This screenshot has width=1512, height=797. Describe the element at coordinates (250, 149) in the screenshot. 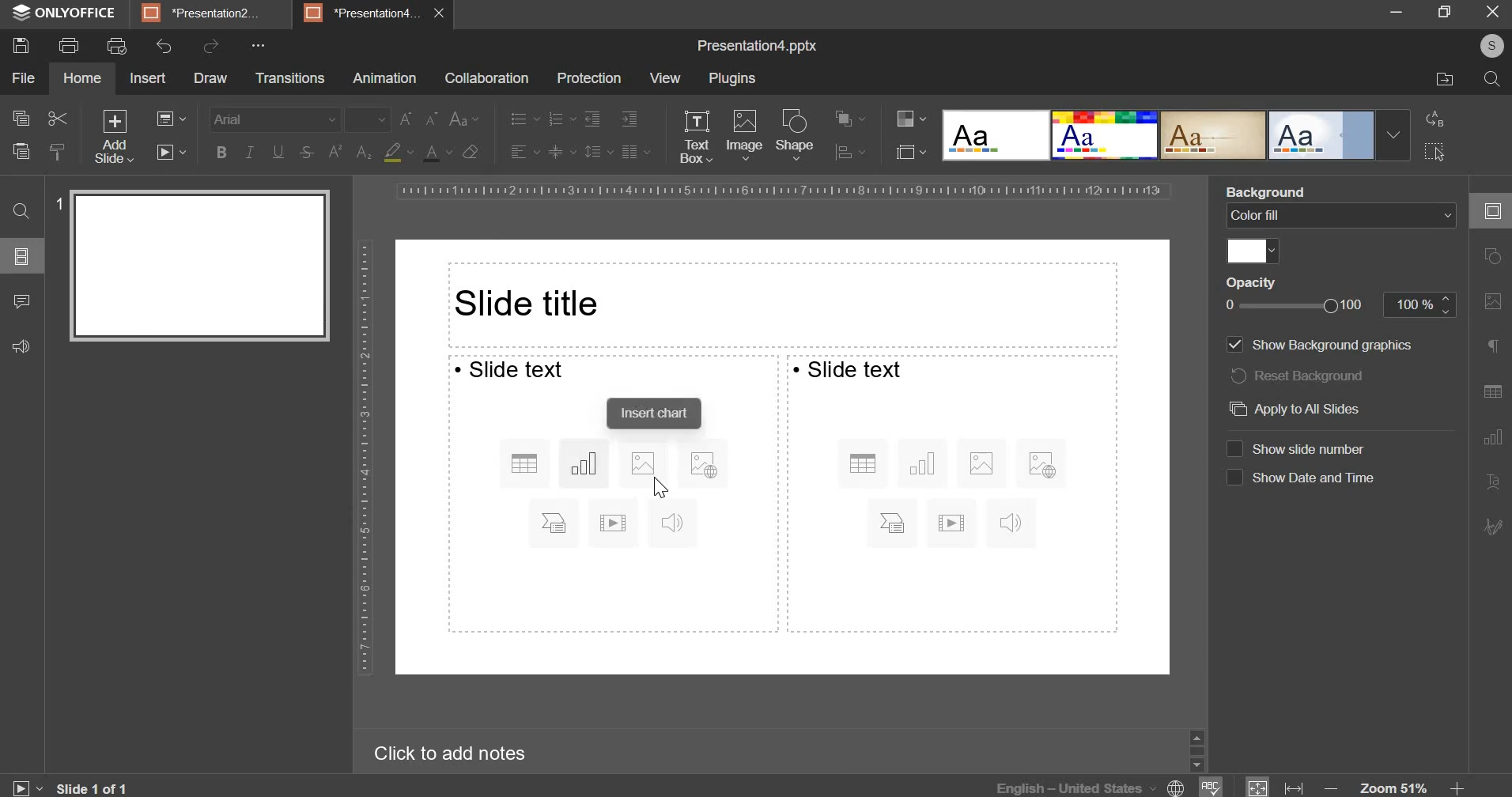

I see `italics` at that location.